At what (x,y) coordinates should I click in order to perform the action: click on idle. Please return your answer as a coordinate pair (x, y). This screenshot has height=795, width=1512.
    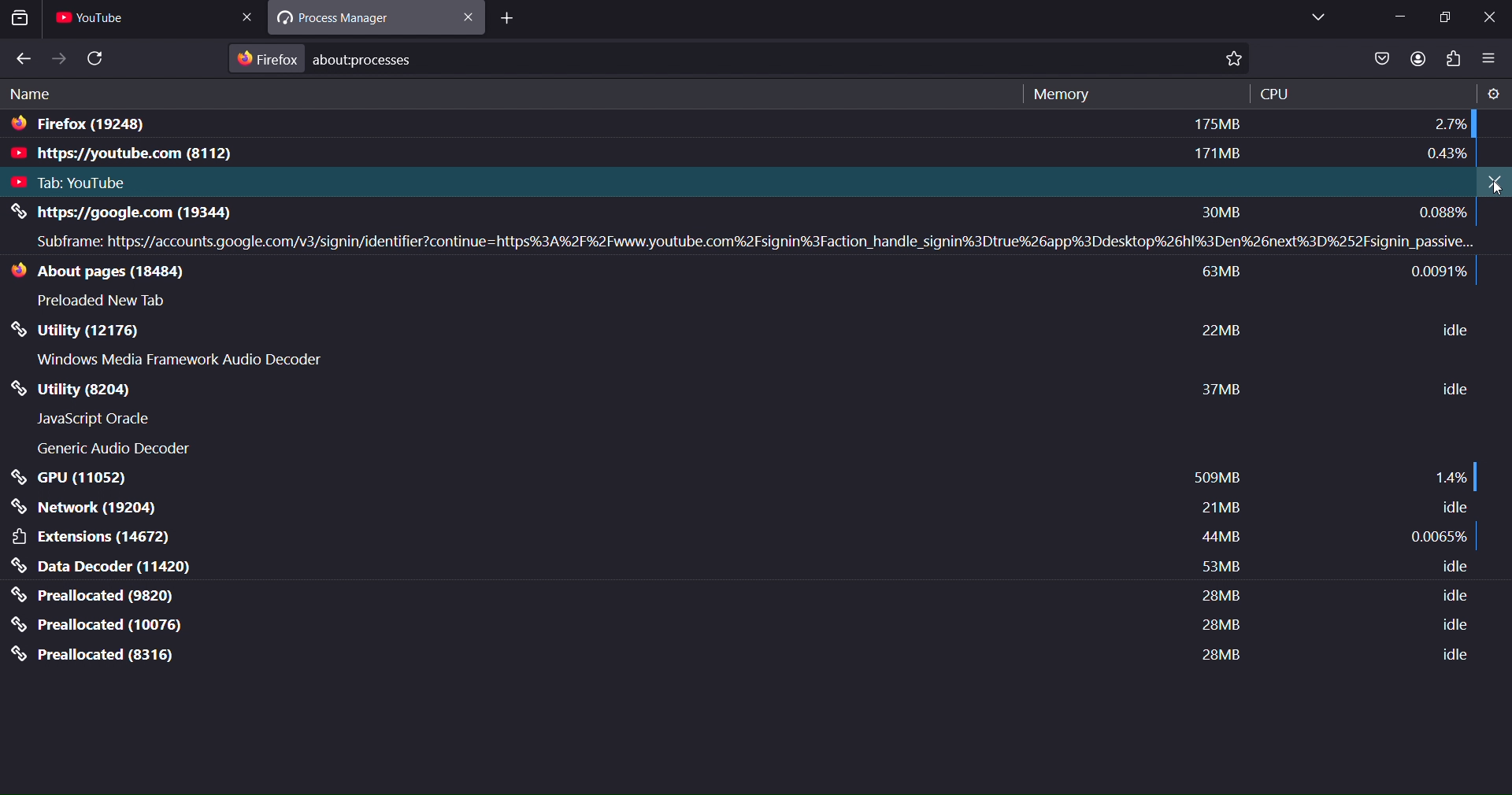
    Looking at the image, I should click on (1451, 329).